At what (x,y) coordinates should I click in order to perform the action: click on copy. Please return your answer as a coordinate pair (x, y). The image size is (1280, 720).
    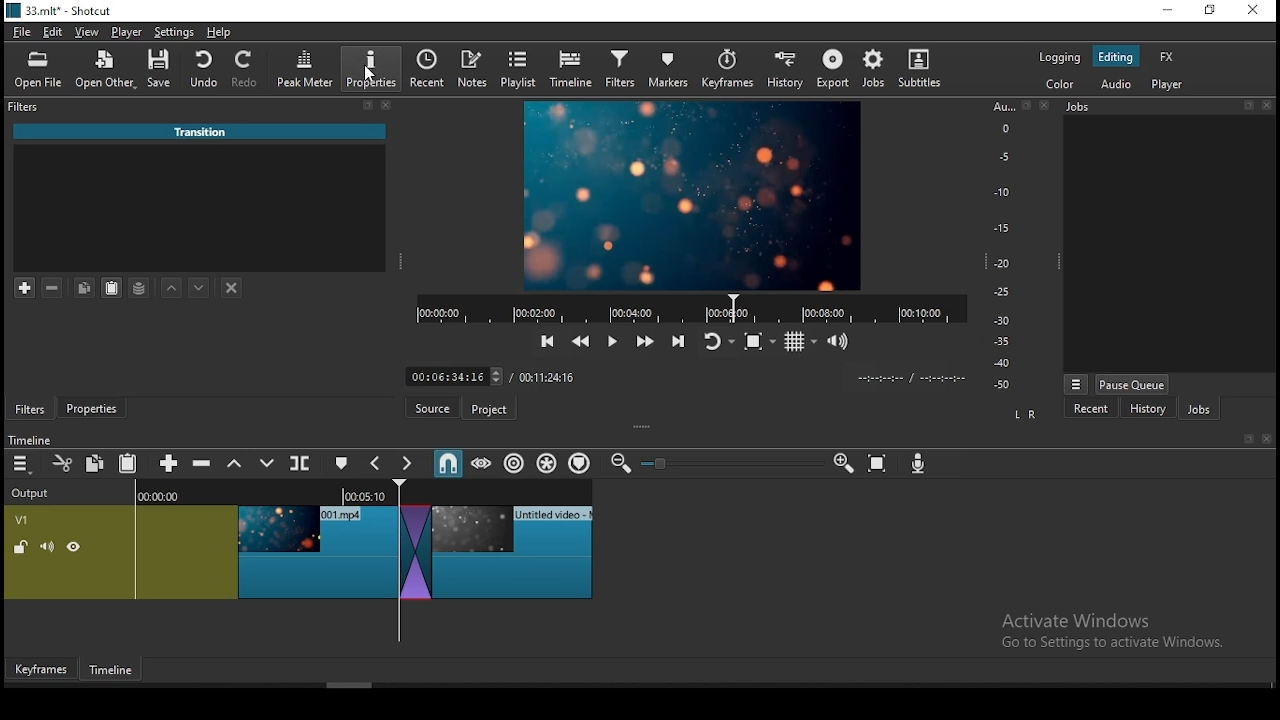
    Looking at the image, I should click on (98, 463).